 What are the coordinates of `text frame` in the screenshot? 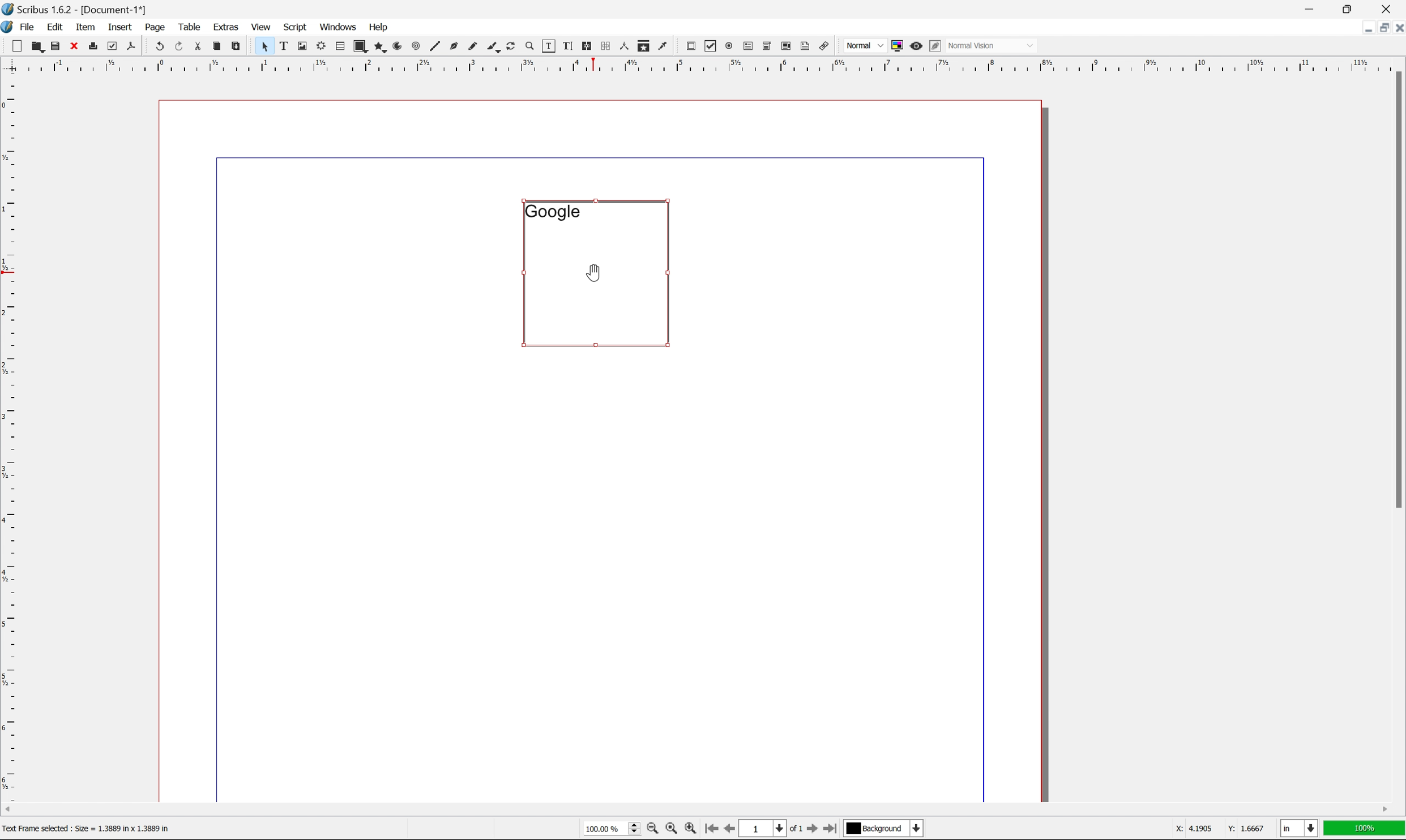 It's located at (284, 45).